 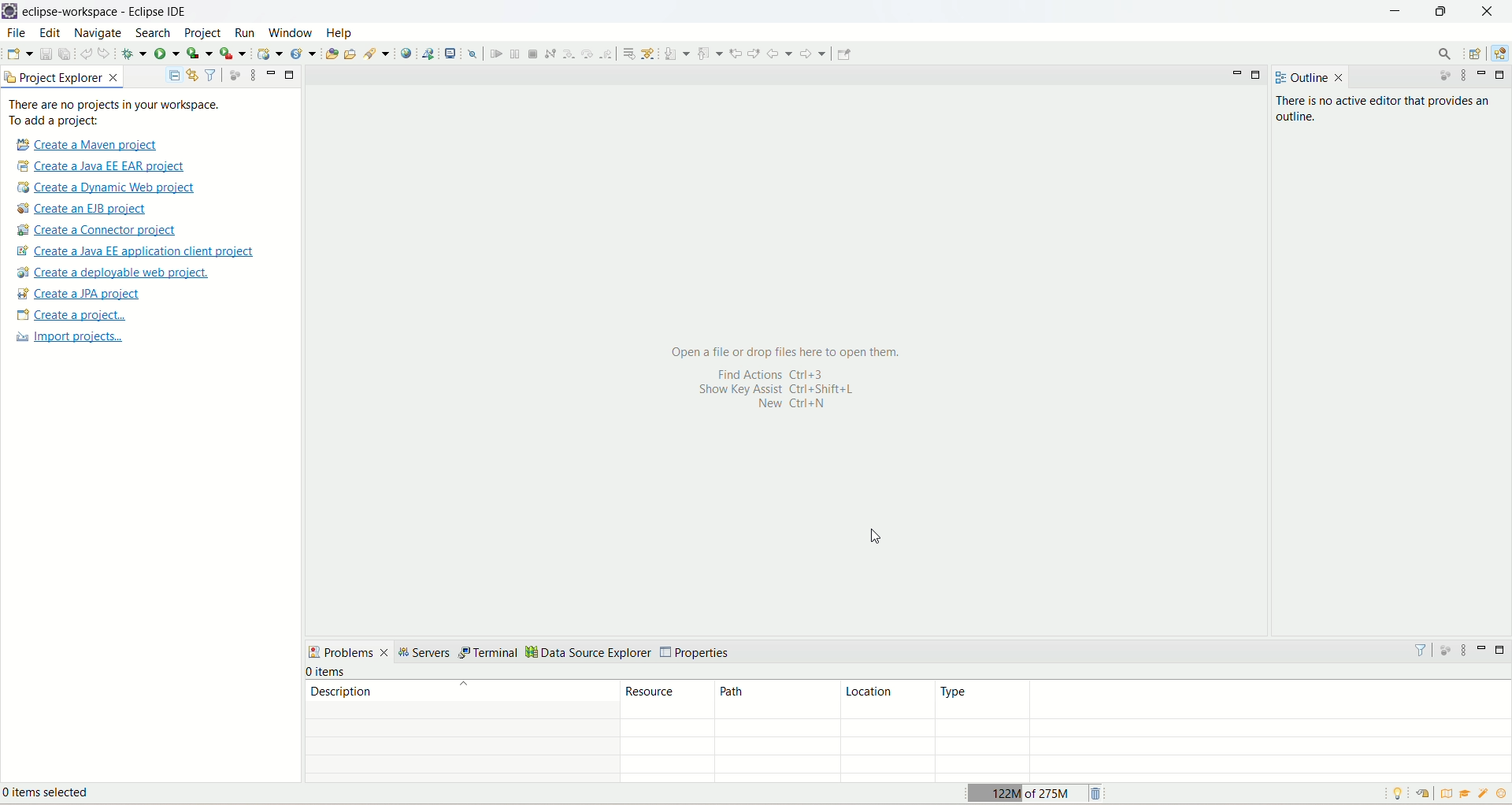 What do you see at coordinates (203, 35) in the screenshot?
I see `project` at bounding box center [203, 35].